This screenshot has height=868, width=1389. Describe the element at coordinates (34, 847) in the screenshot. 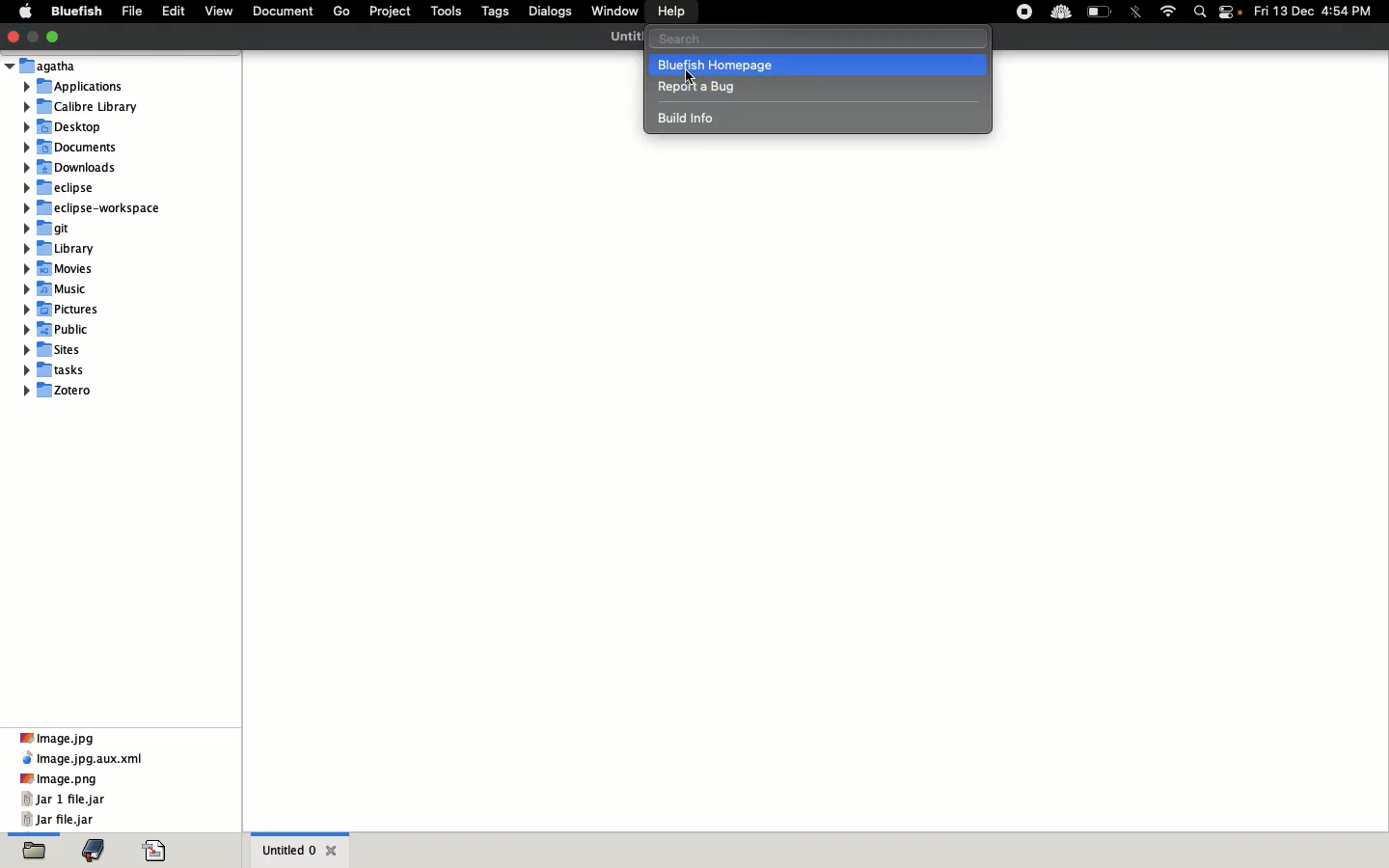

I see `Folders, highlighted as current selection` at that location.